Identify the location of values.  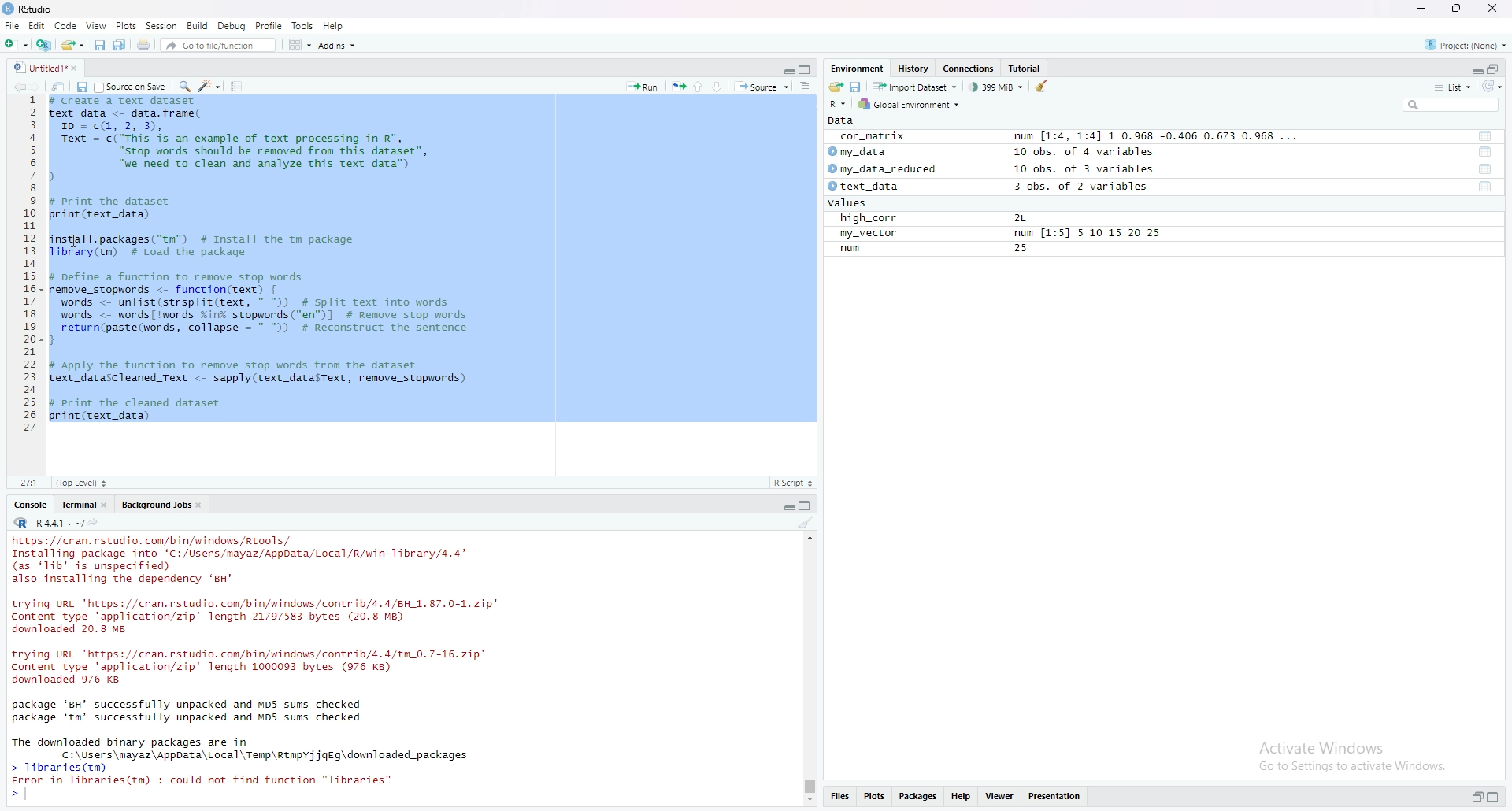
(843, 204).